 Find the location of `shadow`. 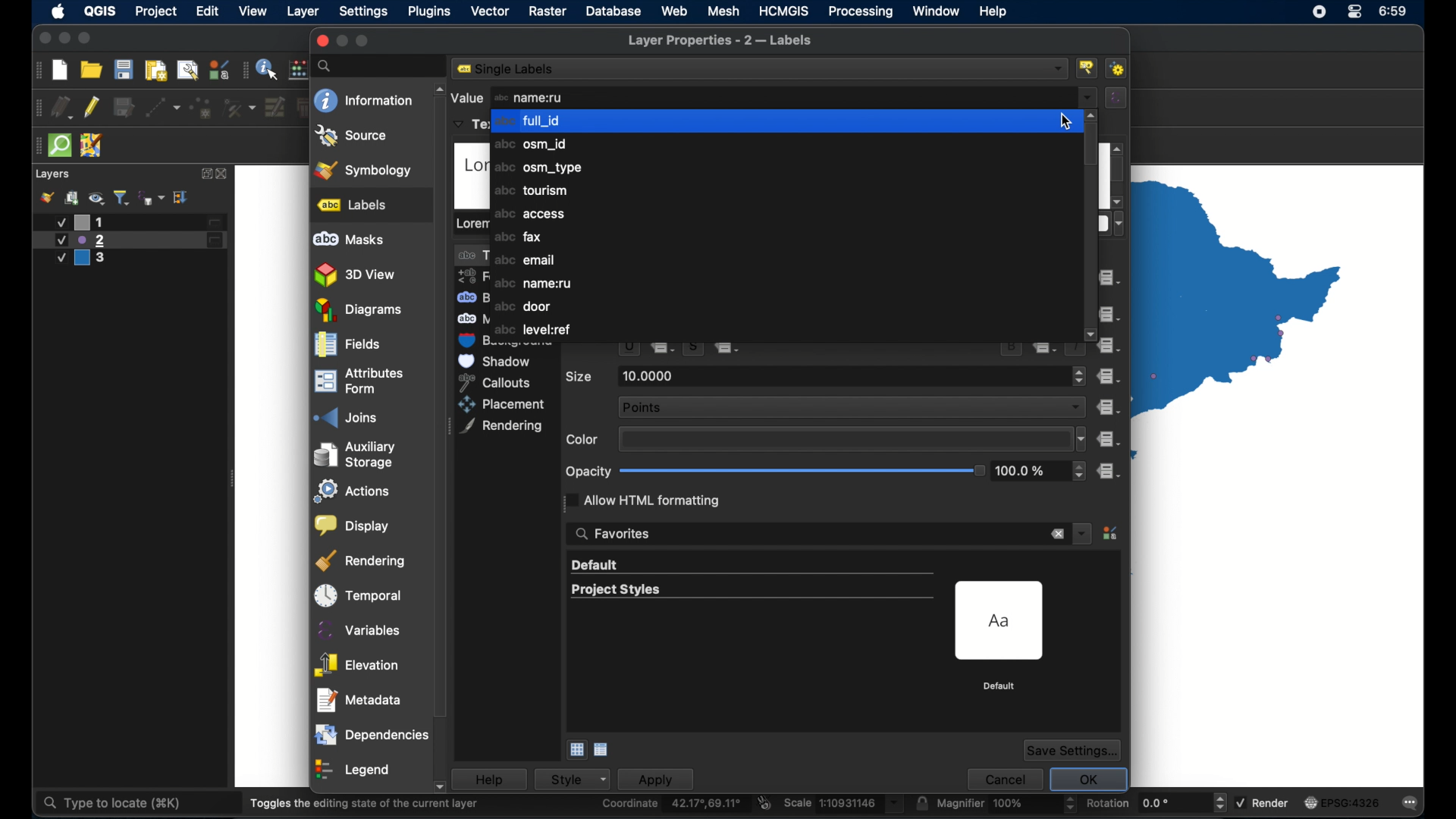

shadow is located at coordinates (497, 361).